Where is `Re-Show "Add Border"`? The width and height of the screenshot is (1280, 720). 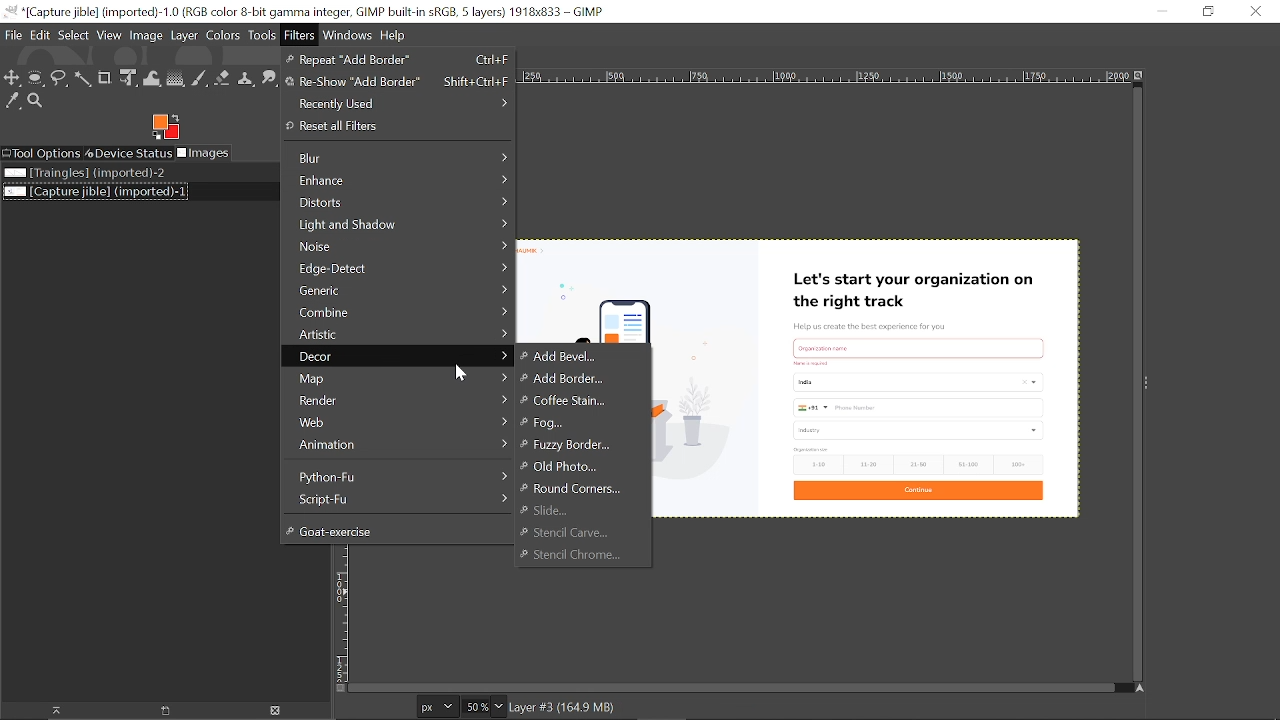 Re-Show "Add Border" is located at coordinates (397, 83).